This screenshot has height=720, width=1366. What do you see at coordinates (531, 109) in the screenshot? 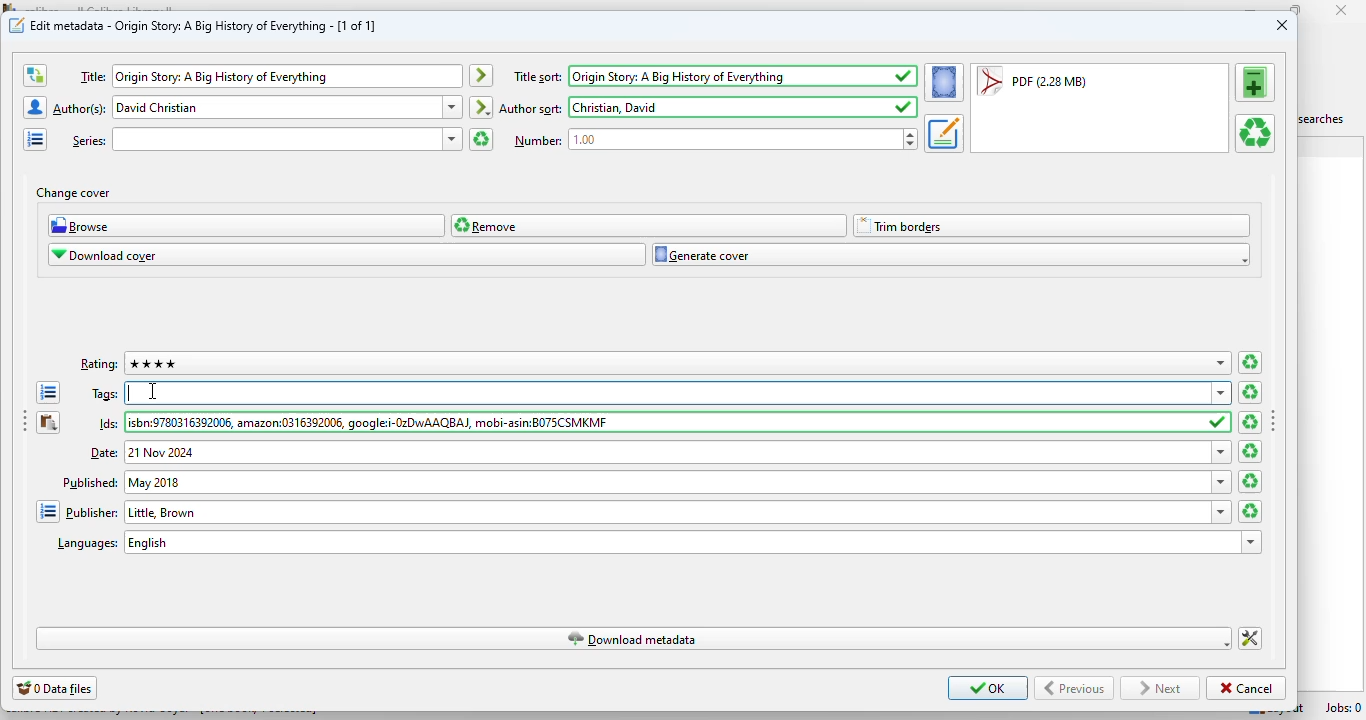
I see `text` at bounding box center [531, 109].